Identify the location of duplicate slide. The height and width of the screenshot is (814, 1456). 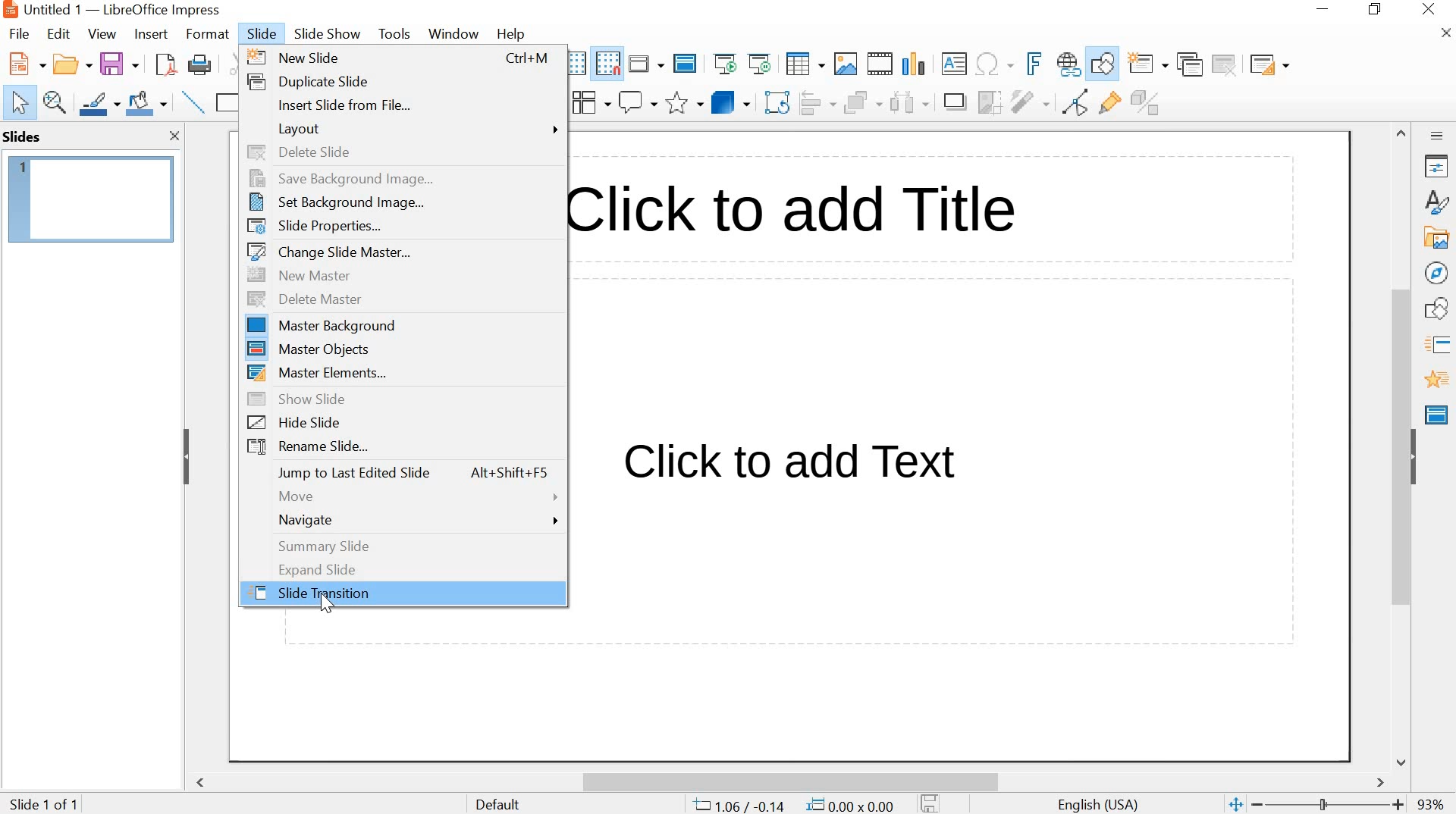
(401, 80).